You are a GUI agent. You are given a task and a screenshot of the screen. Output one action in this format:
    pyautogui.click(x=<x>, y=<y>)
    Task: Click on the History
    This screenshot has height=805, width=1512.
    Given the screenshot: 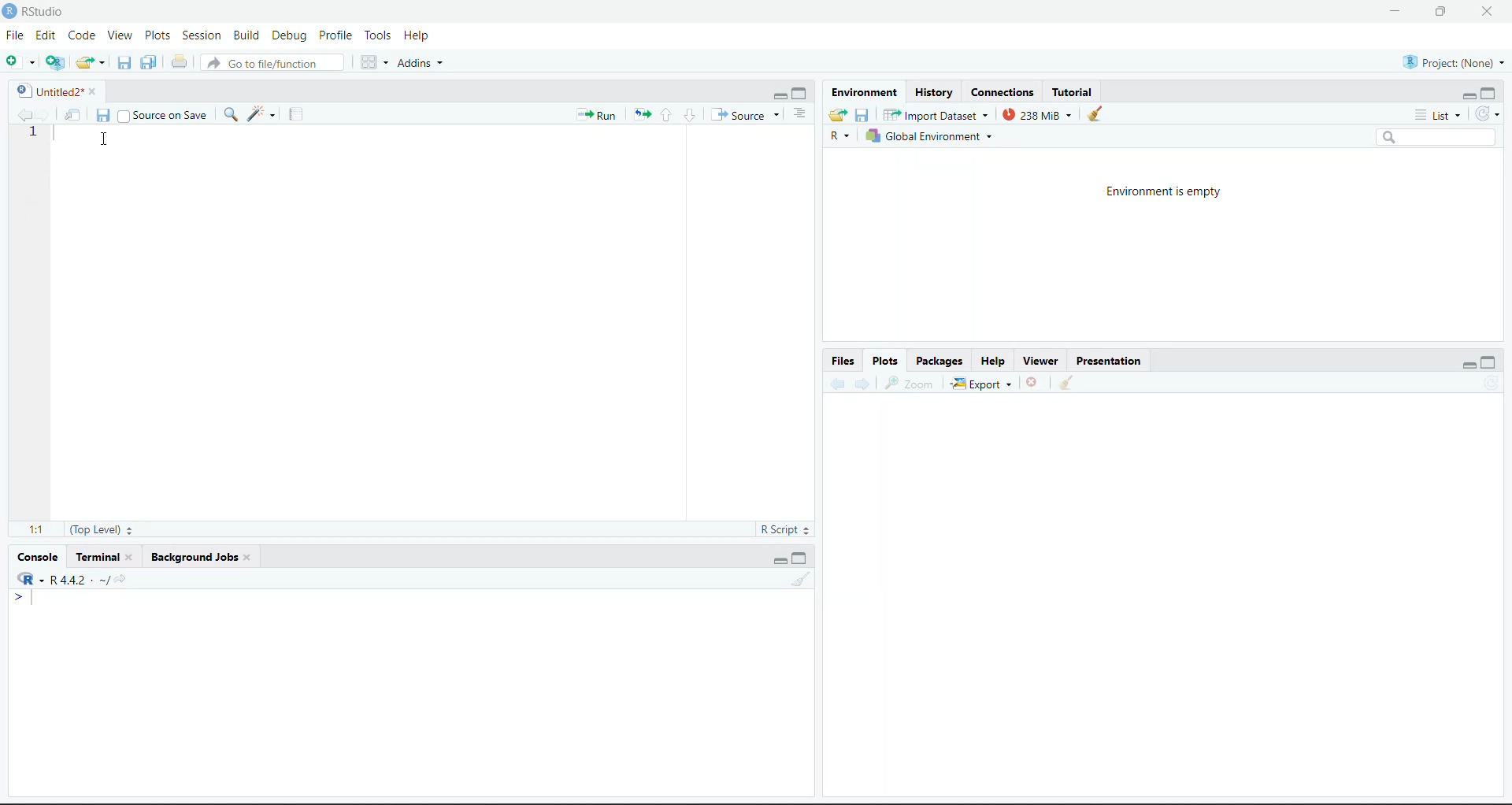 What is the action you would take?
    pyautogui.click(x=933, y=93)
    